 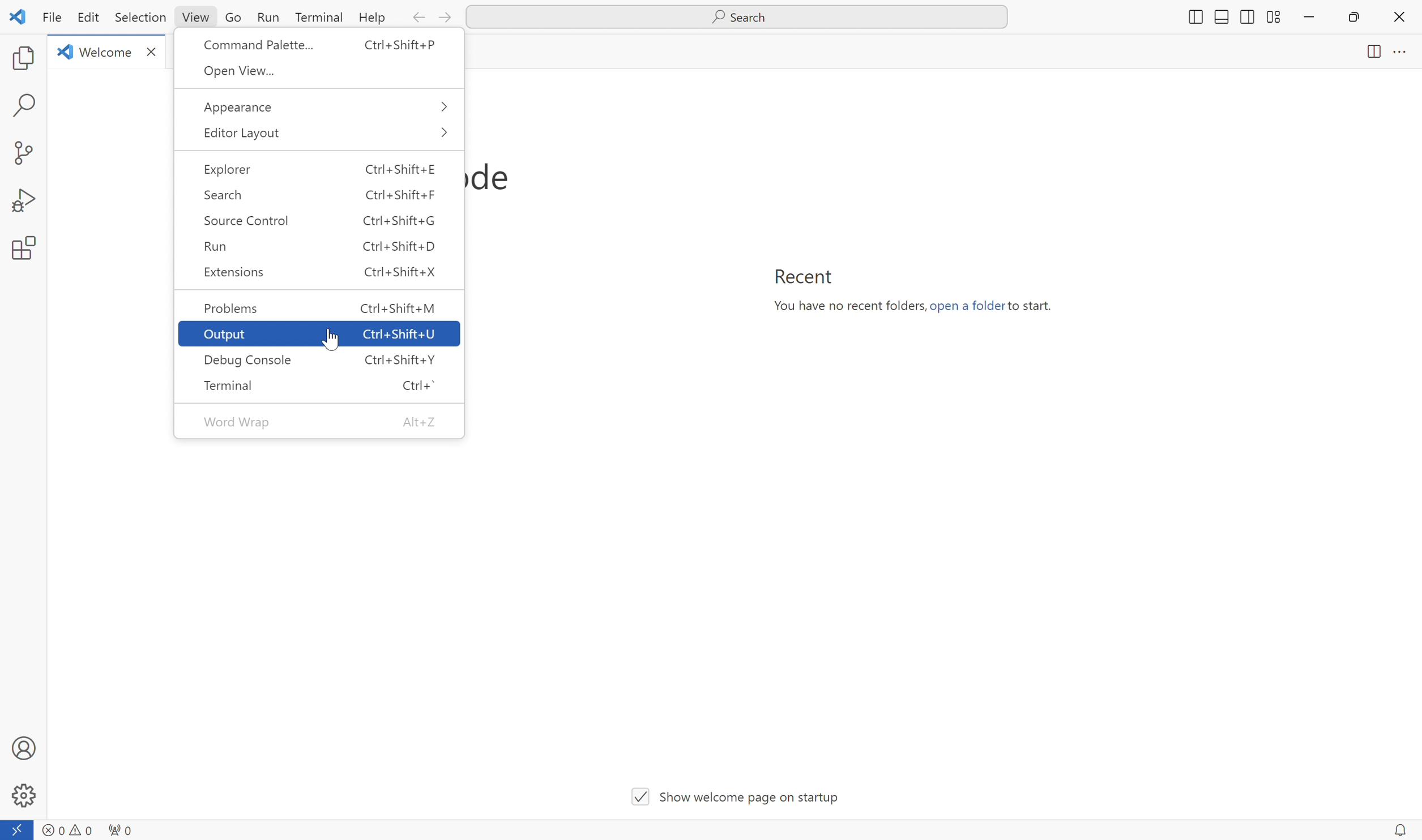 What do you see at coordinates (331, 340) in the screenshot?
I see `mouse pointer` at bounding box center [331, 340].